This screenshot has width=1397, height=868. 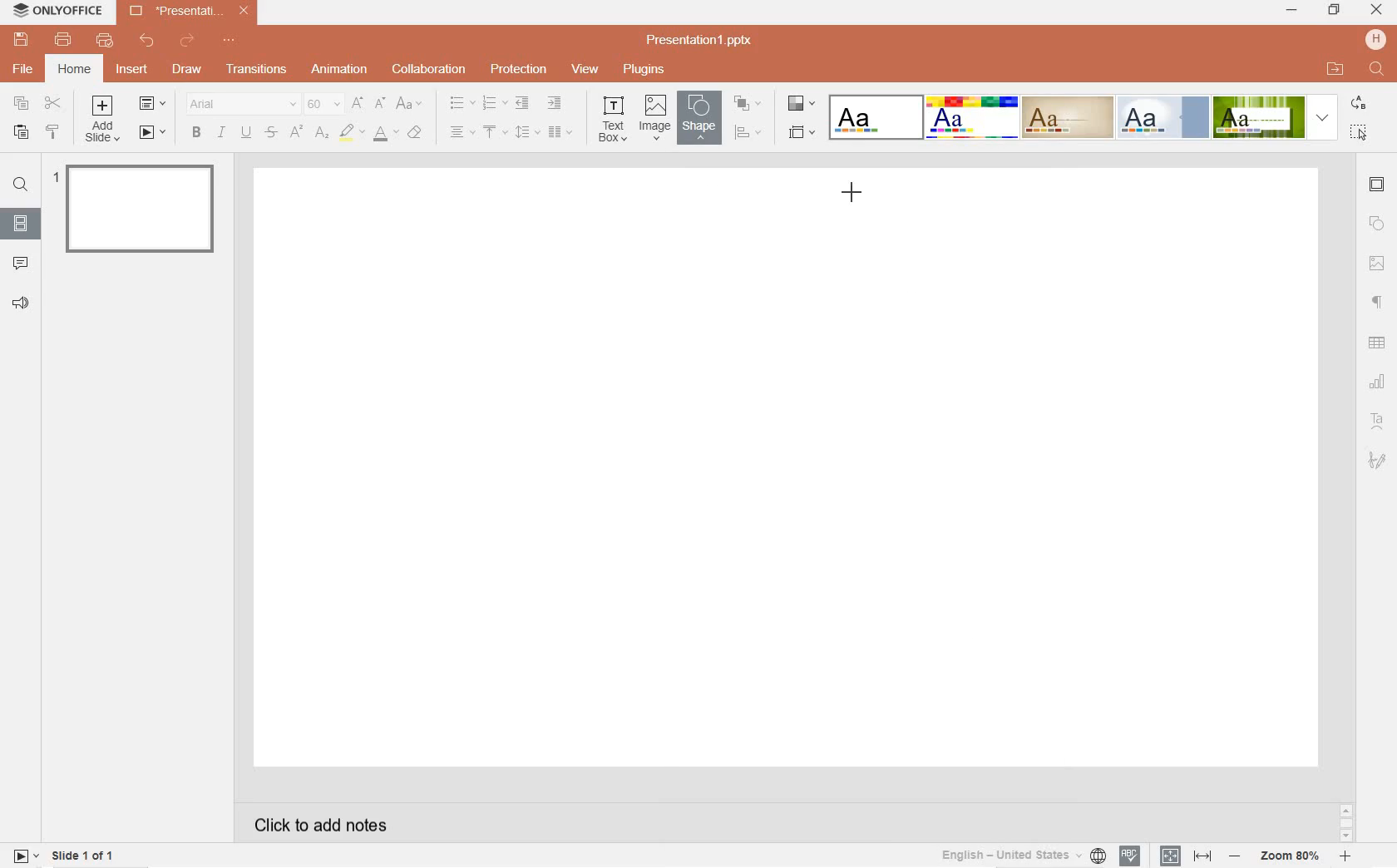 What do you see at coordinates (85, 858) in the screenshot?
I see `slide 1 of 1` at bounding box center [85, 858].